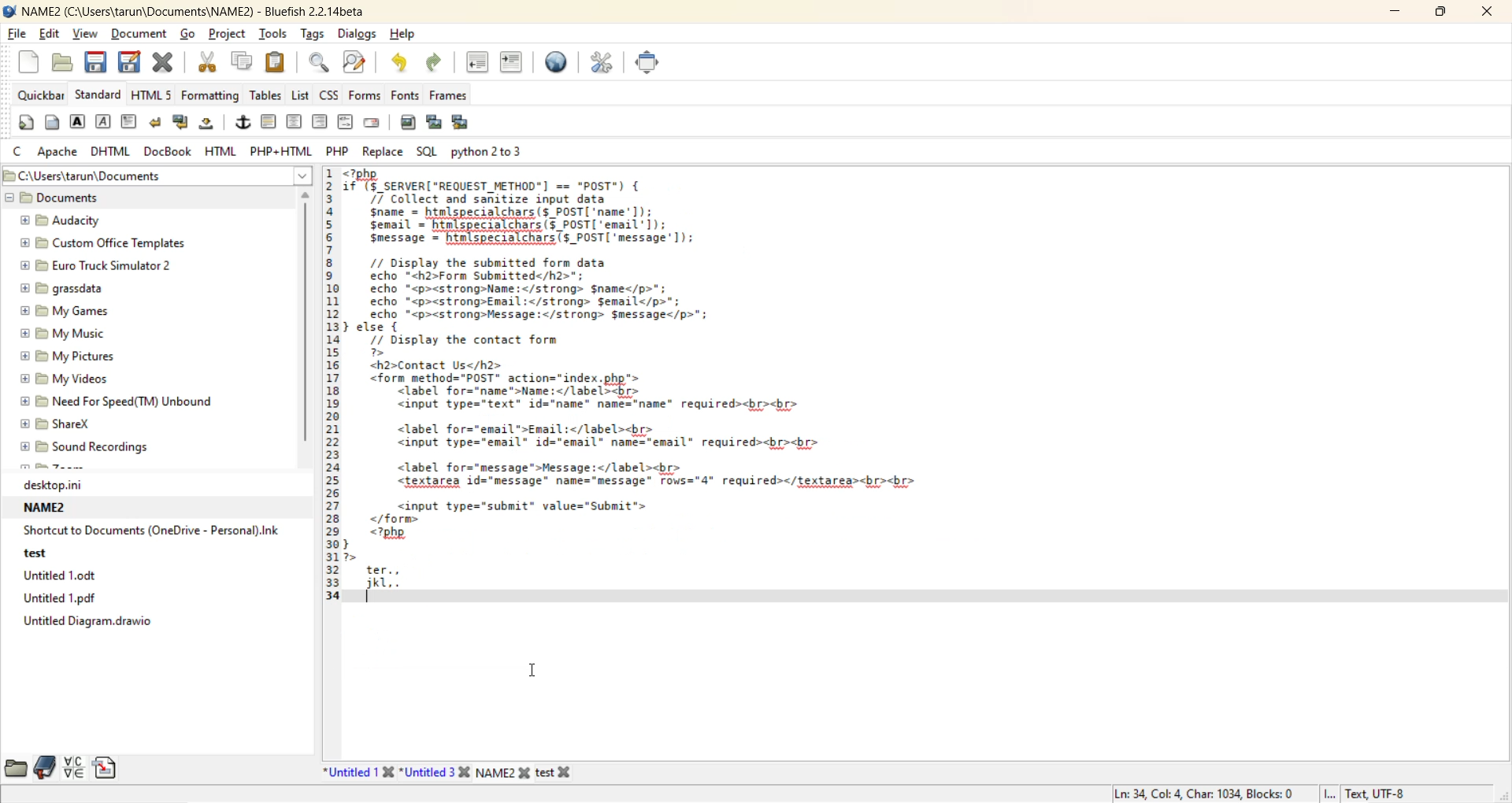  Describe the element at coordinates (294, 123) in the screenshot. I see `center` at that location.